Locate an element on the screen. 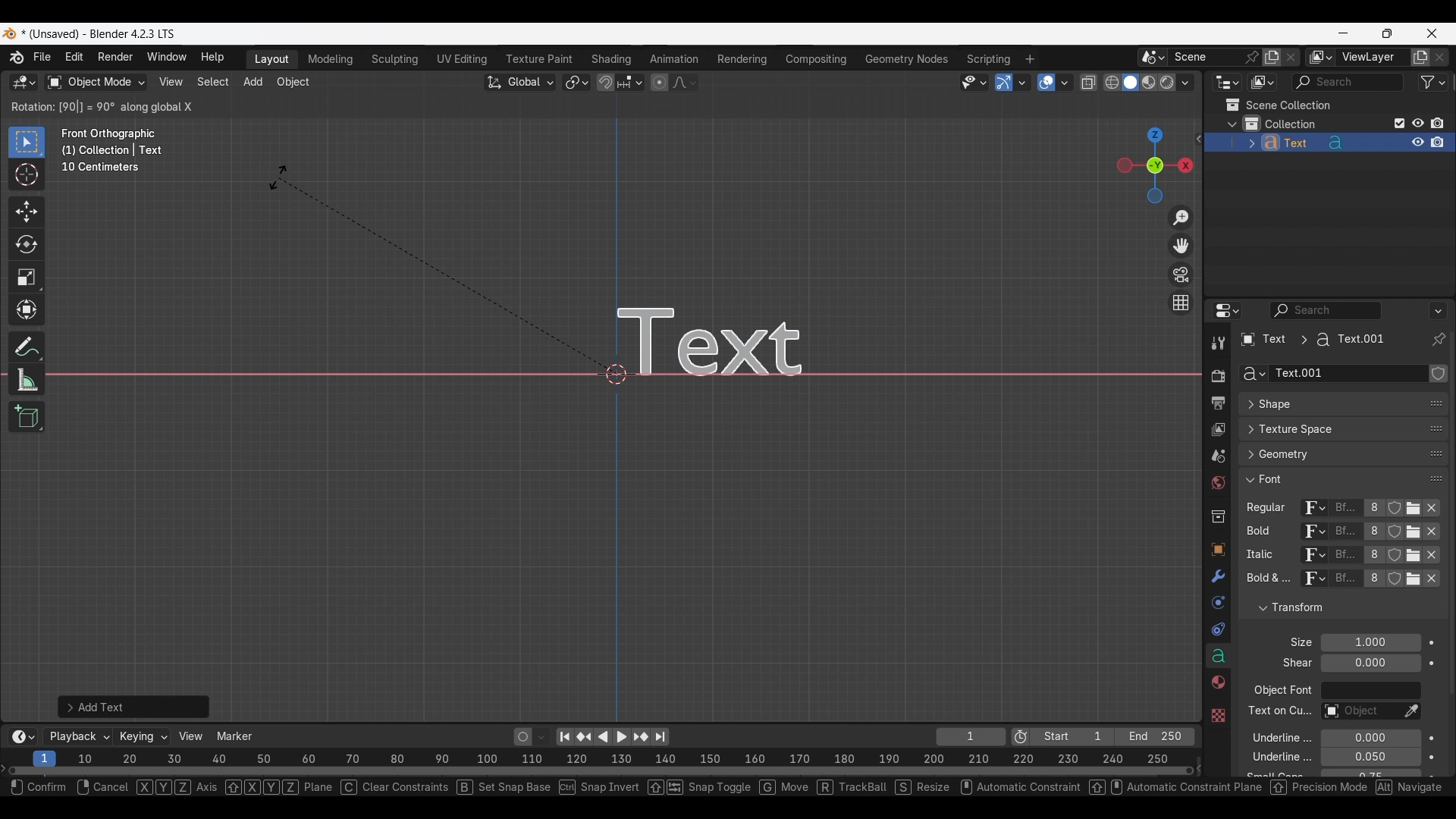 The width and height of the screenshot is (1456, 819). Browse Curve Data to be linked is located at coordinates (1252, 374).